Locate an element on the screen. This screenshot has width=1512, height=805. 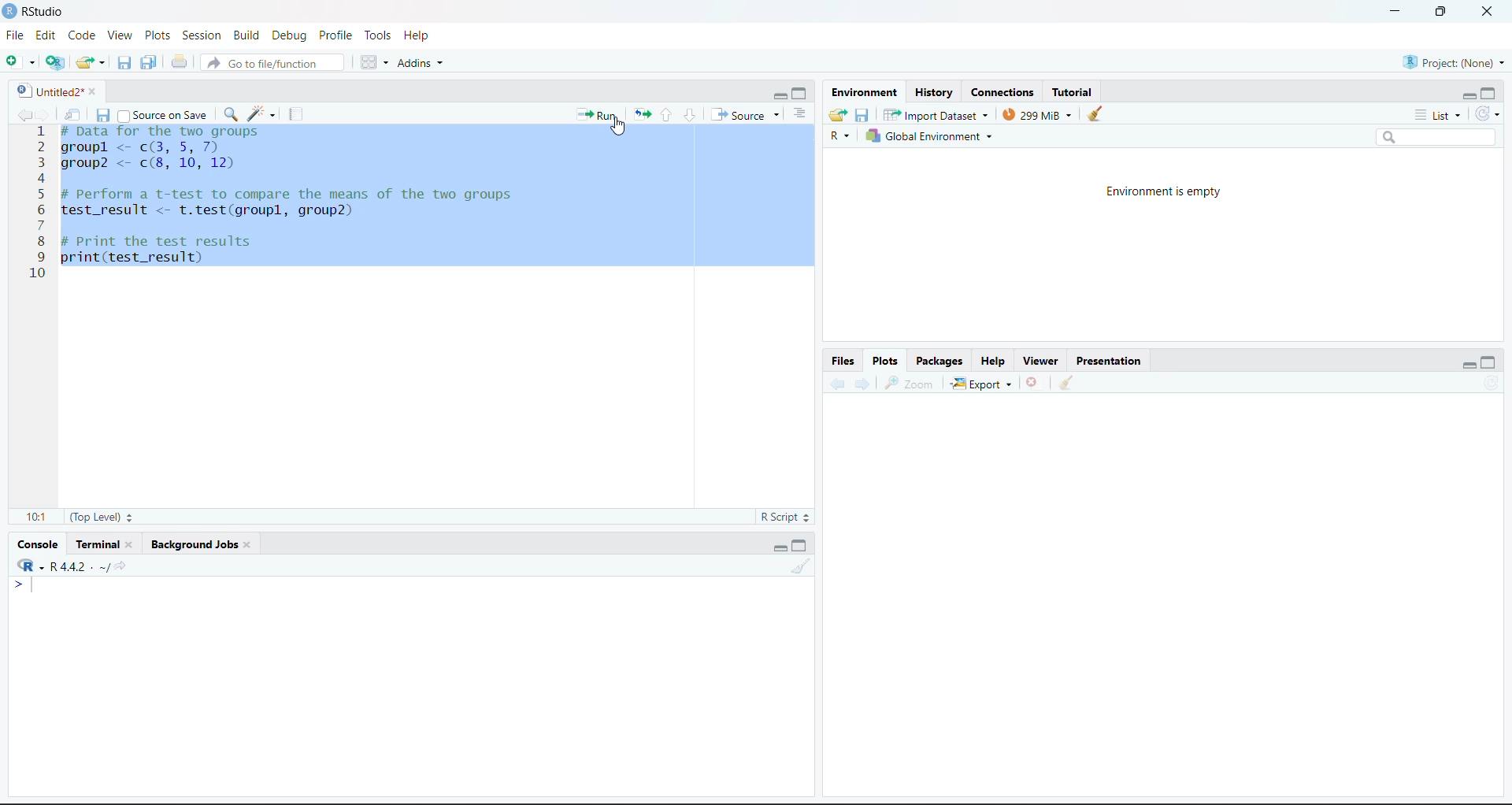
Environment is located at coordinates (863, 91).